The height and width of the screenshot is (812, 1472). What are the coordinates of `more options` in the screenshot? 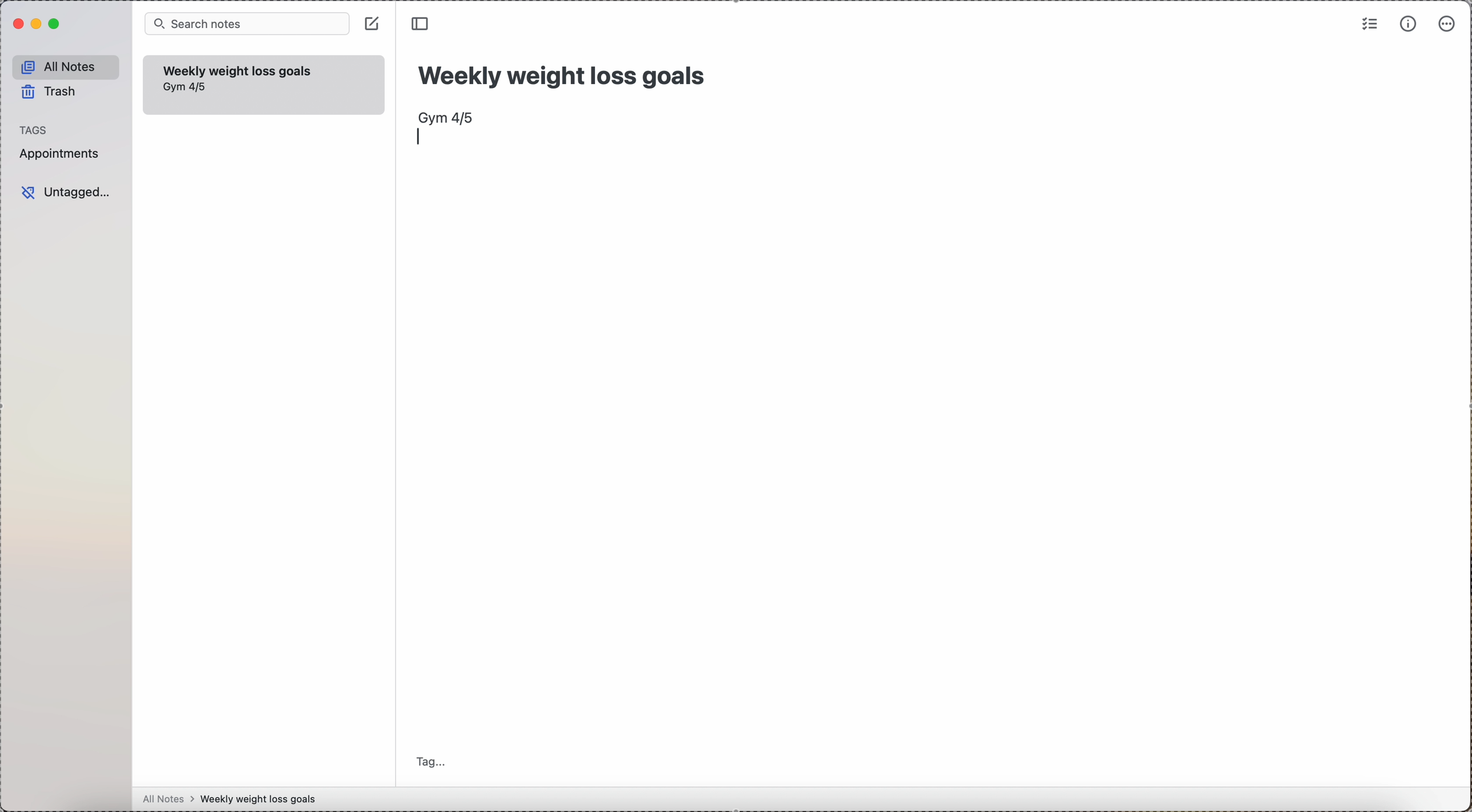 It's located at (1449, 23).